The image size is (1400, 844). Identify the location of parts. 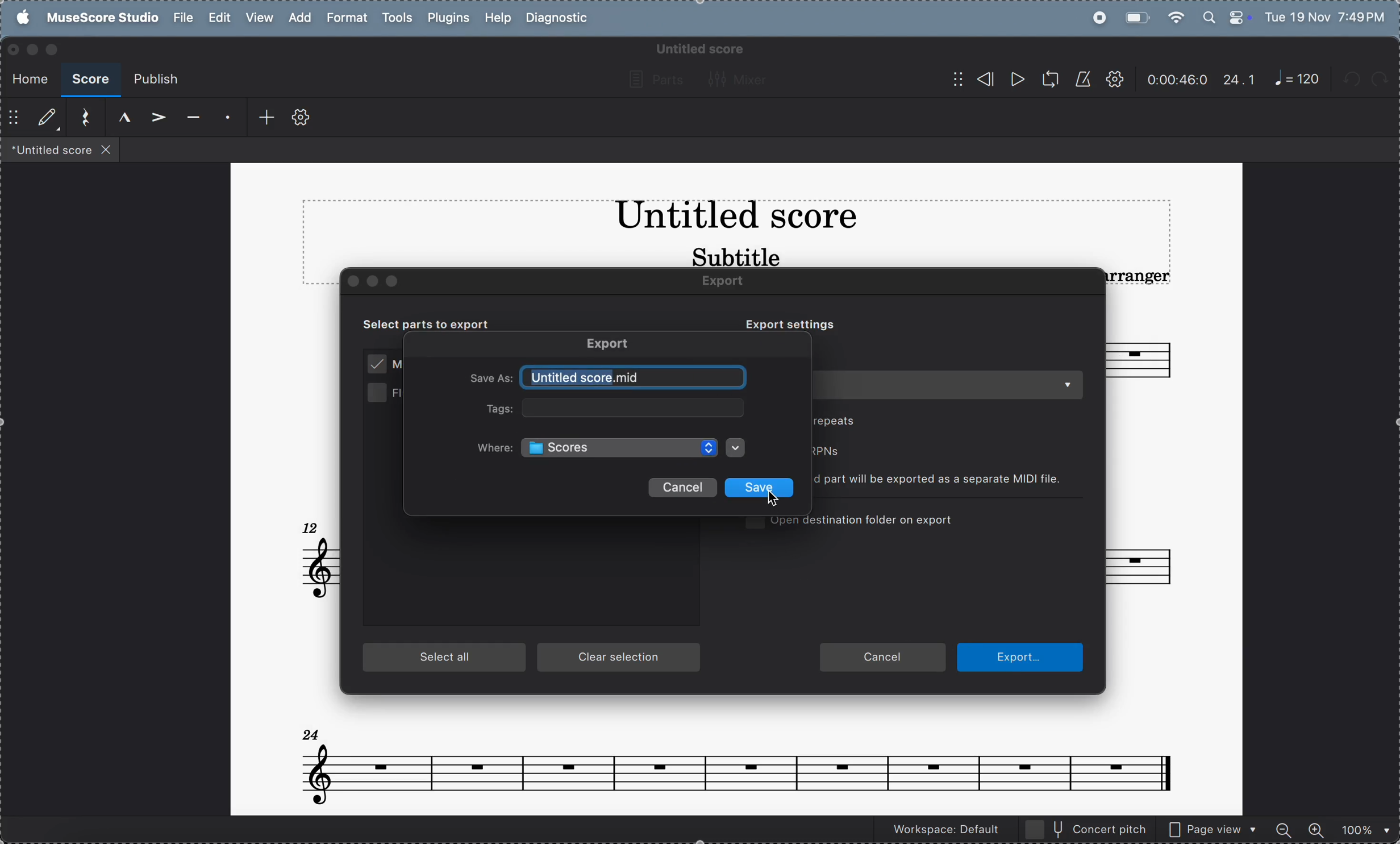
(653, 80).